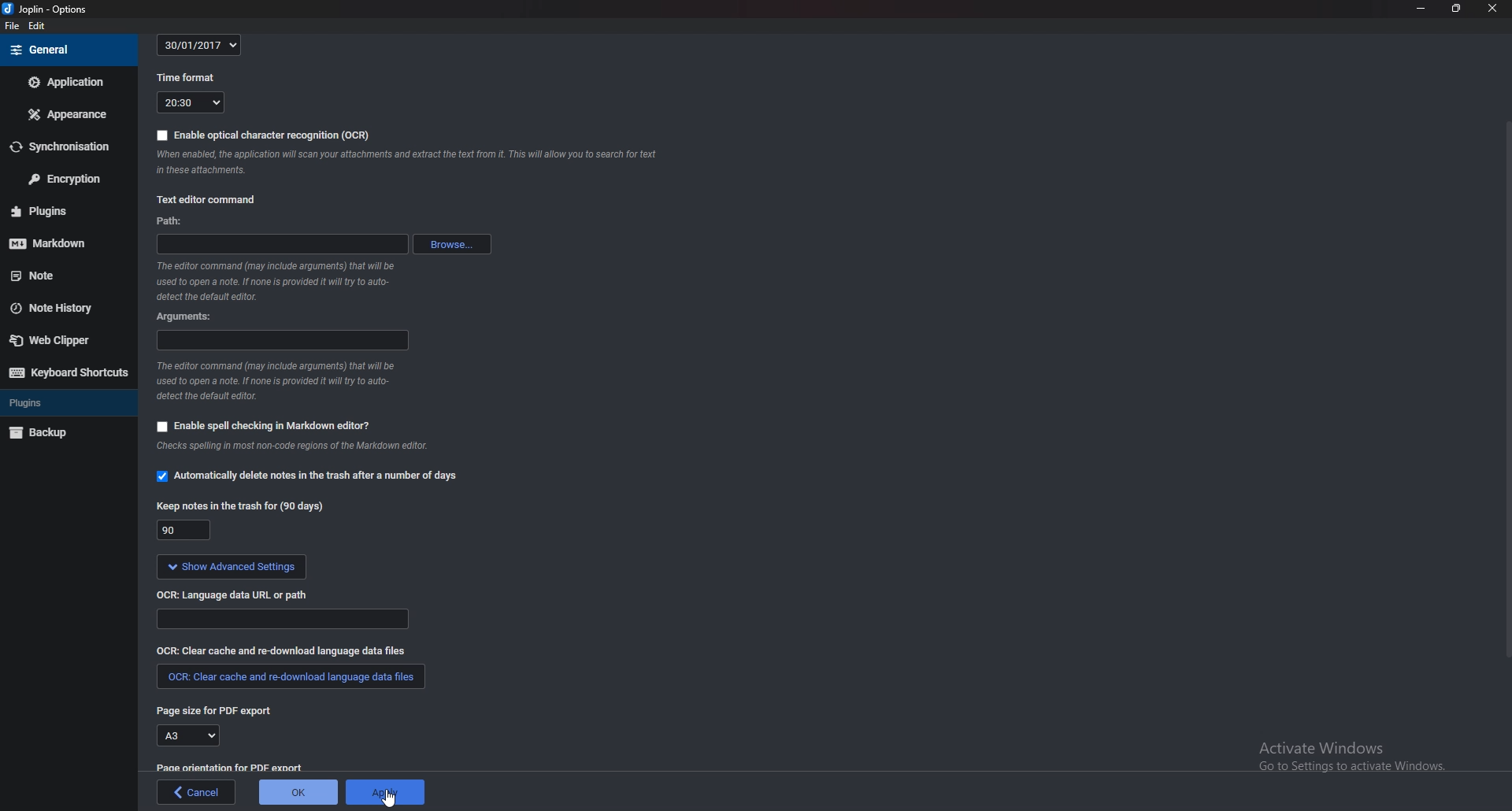 Image resolution: width=1512 pixels, height=811 pixels. What do you see at coordinates (57, 433) in the screenshot?
I see `Back up` at bounding box center [57, 433].